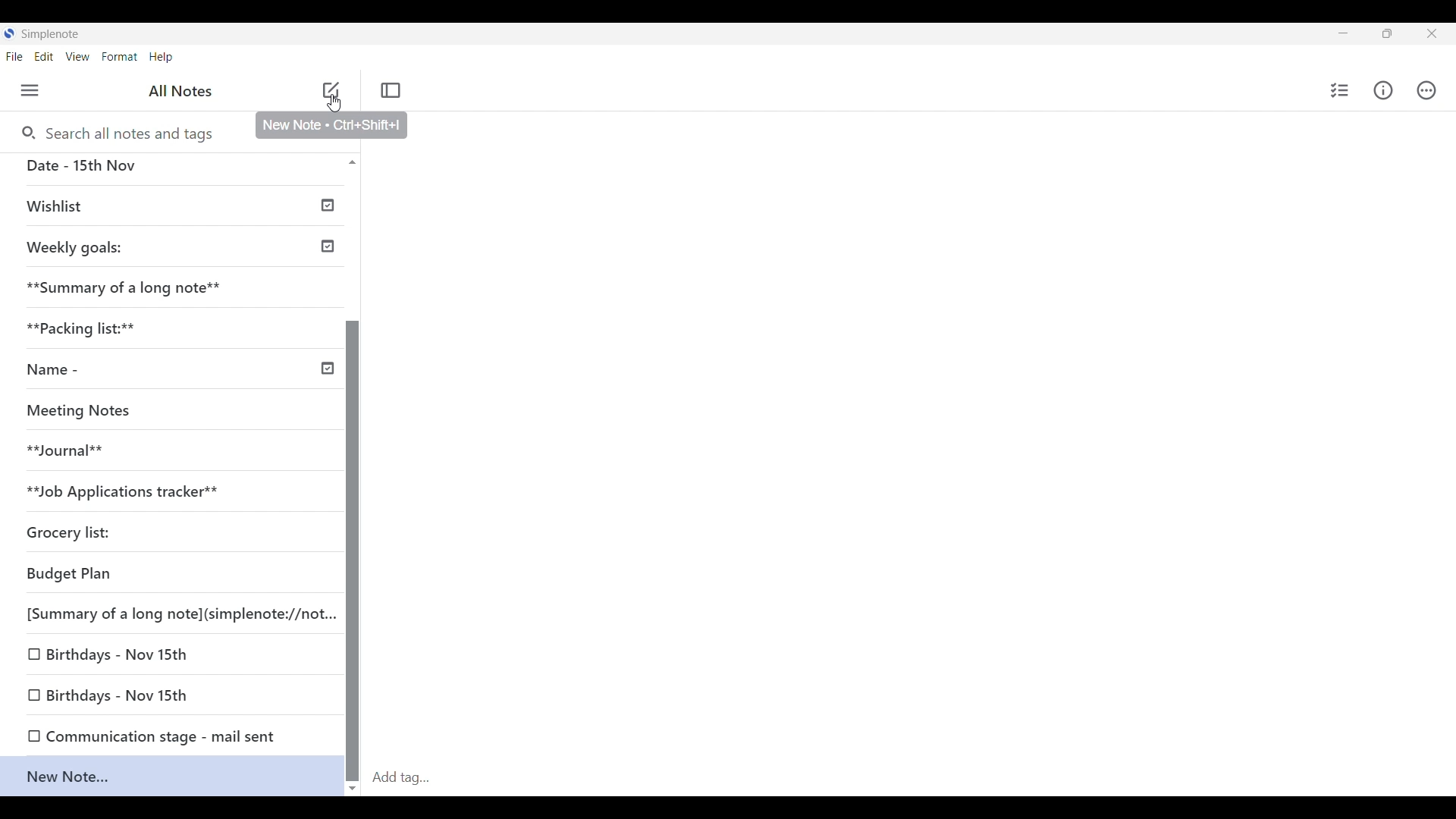 The width and height of the screenshot is (1456, 819). What do you see at coordinates (83, 165) in the screenshot?
I see `Date - 15th Nov` at bounding box center [83, 165].